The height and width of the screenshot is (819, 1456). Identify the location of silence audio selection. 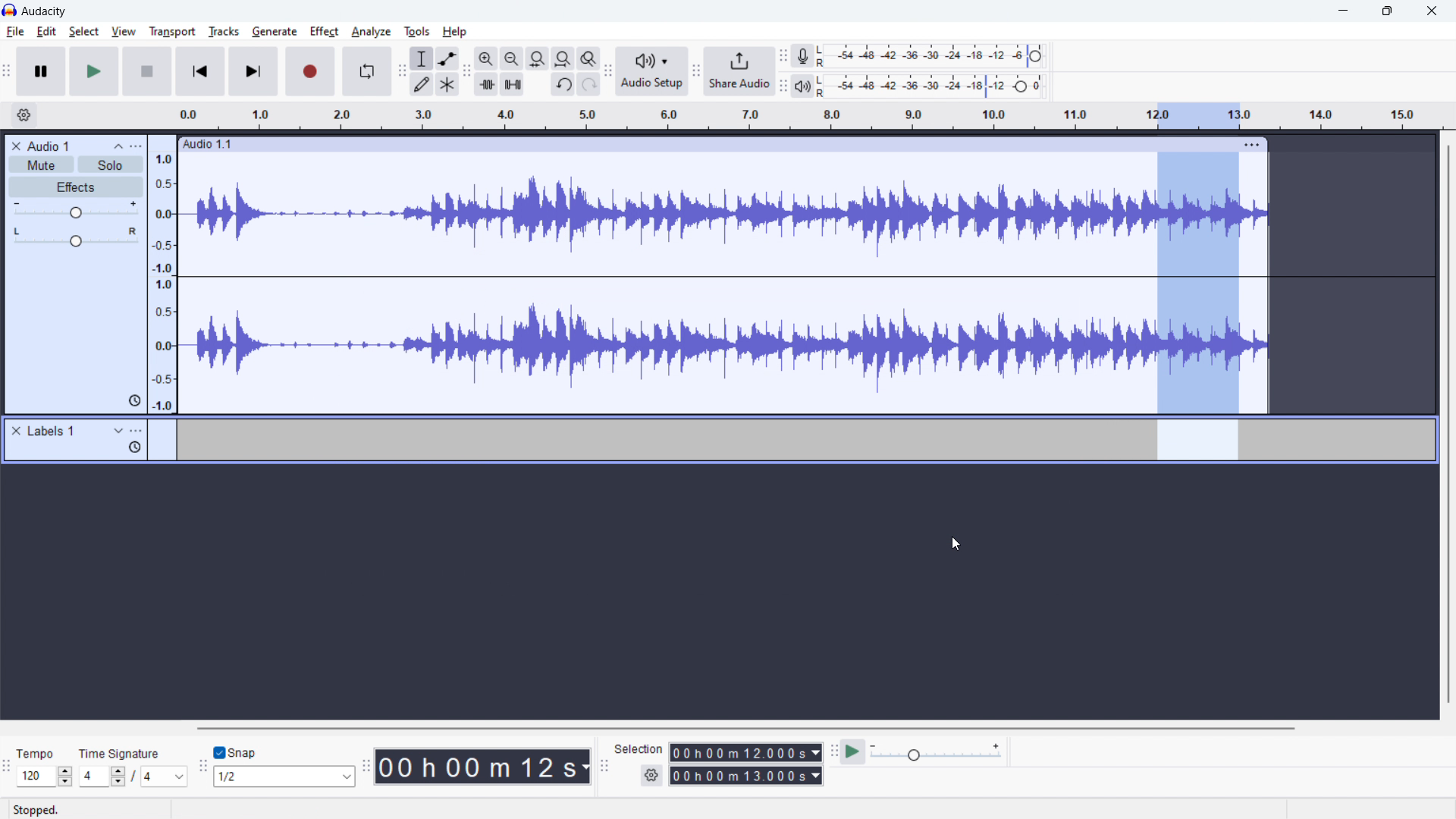
(513, 84).